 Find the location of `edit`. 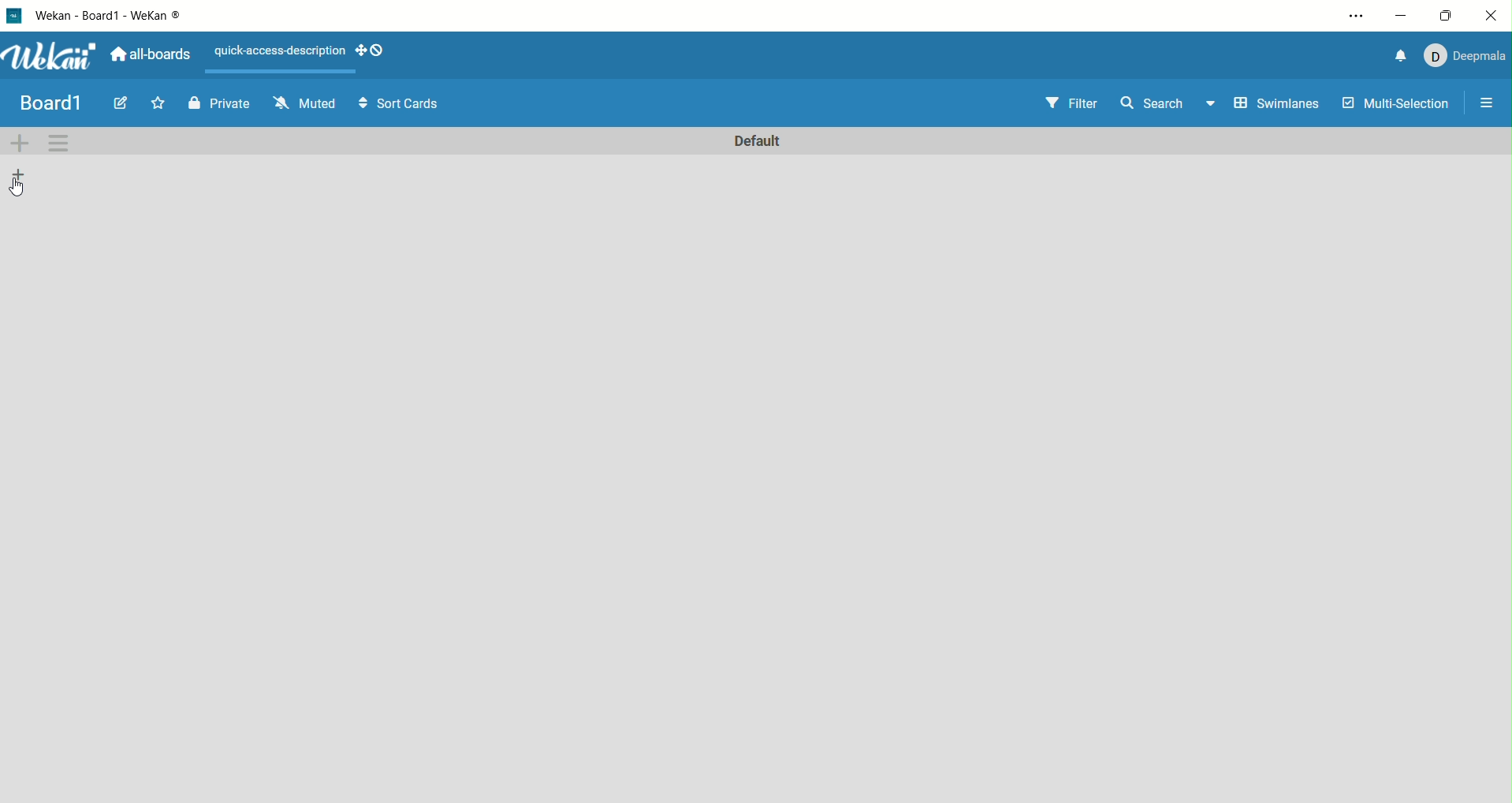

edit is located at coordinates (117, 104).